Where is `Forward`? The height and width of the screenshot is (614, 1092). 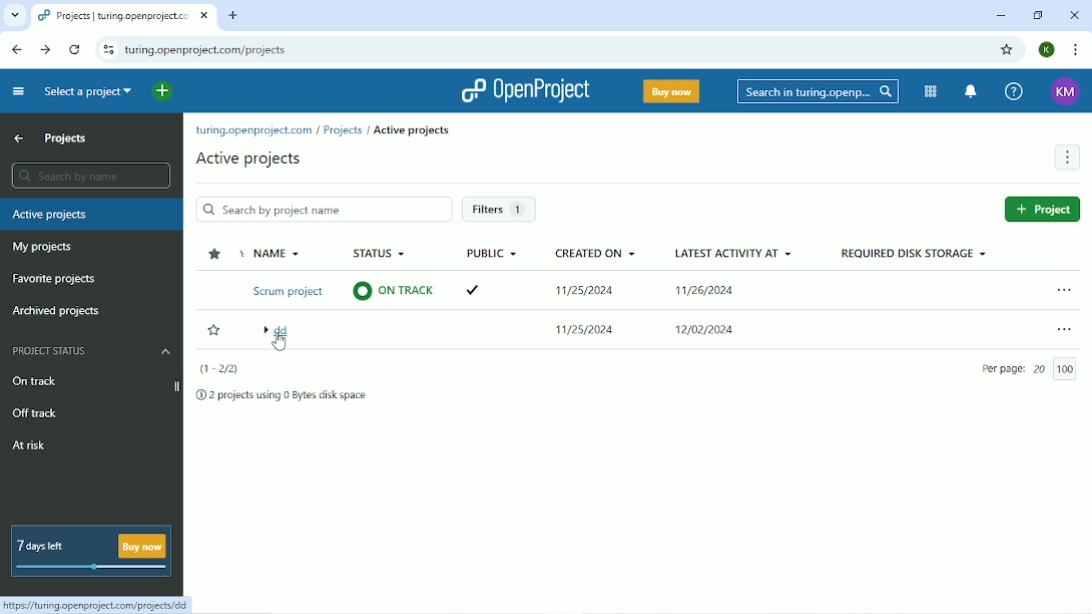 Forward is located at coordinates (46, 49).